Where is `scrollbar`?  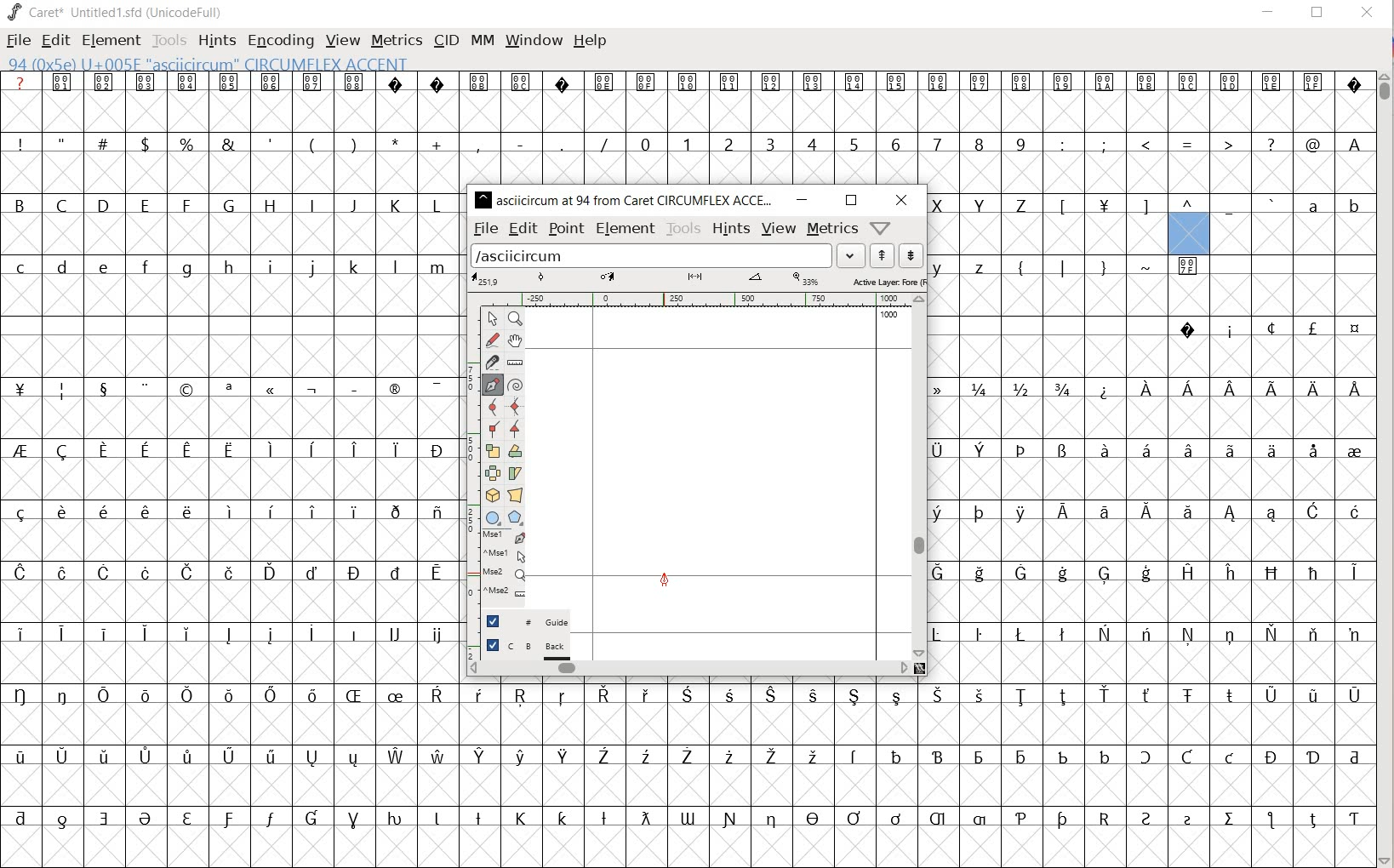 scrollbar is located at coordinates (920, 477).